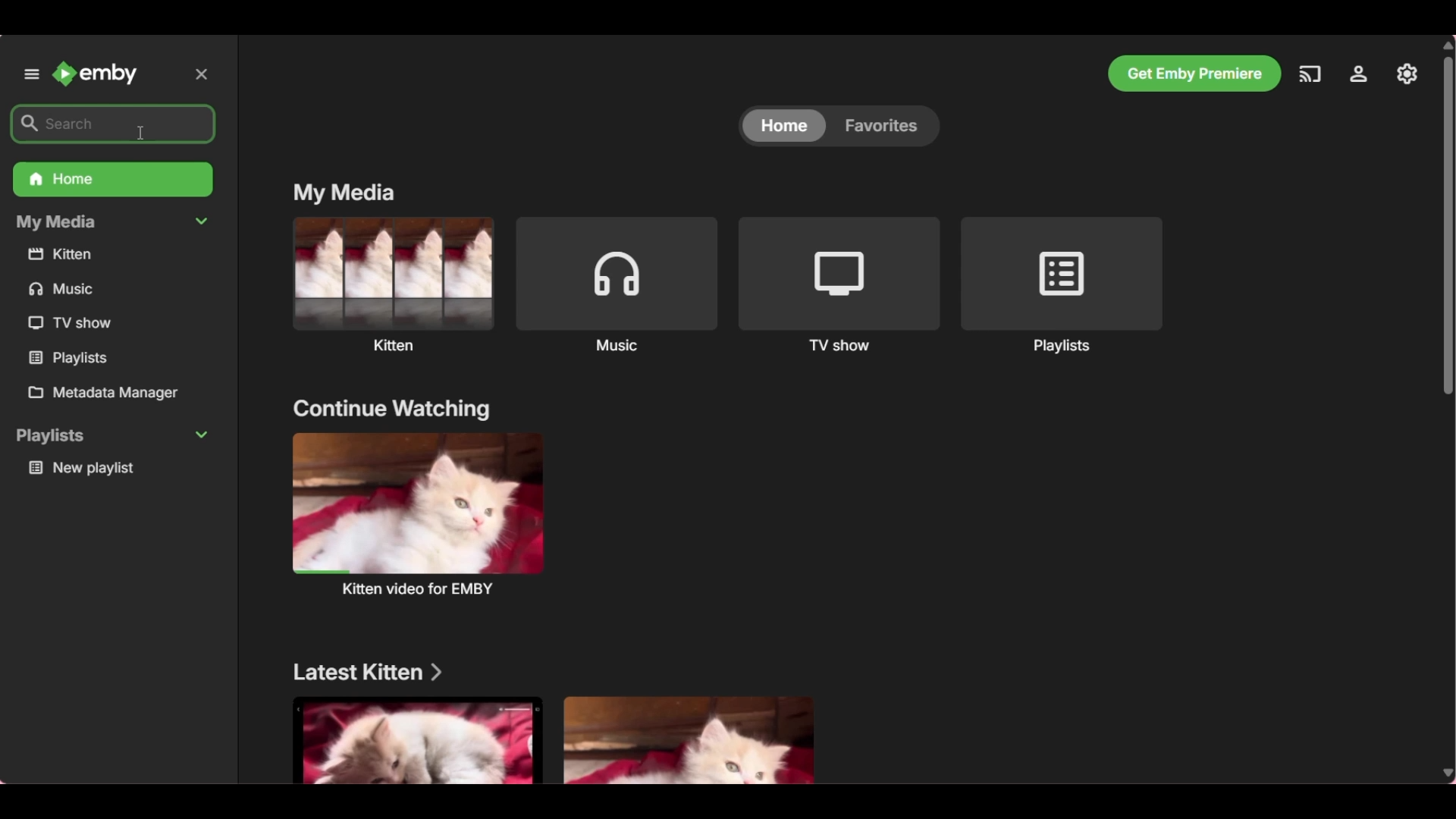  Describe the element at coordinates (616, 283) in the screenshot. I see `Music ` at that location.